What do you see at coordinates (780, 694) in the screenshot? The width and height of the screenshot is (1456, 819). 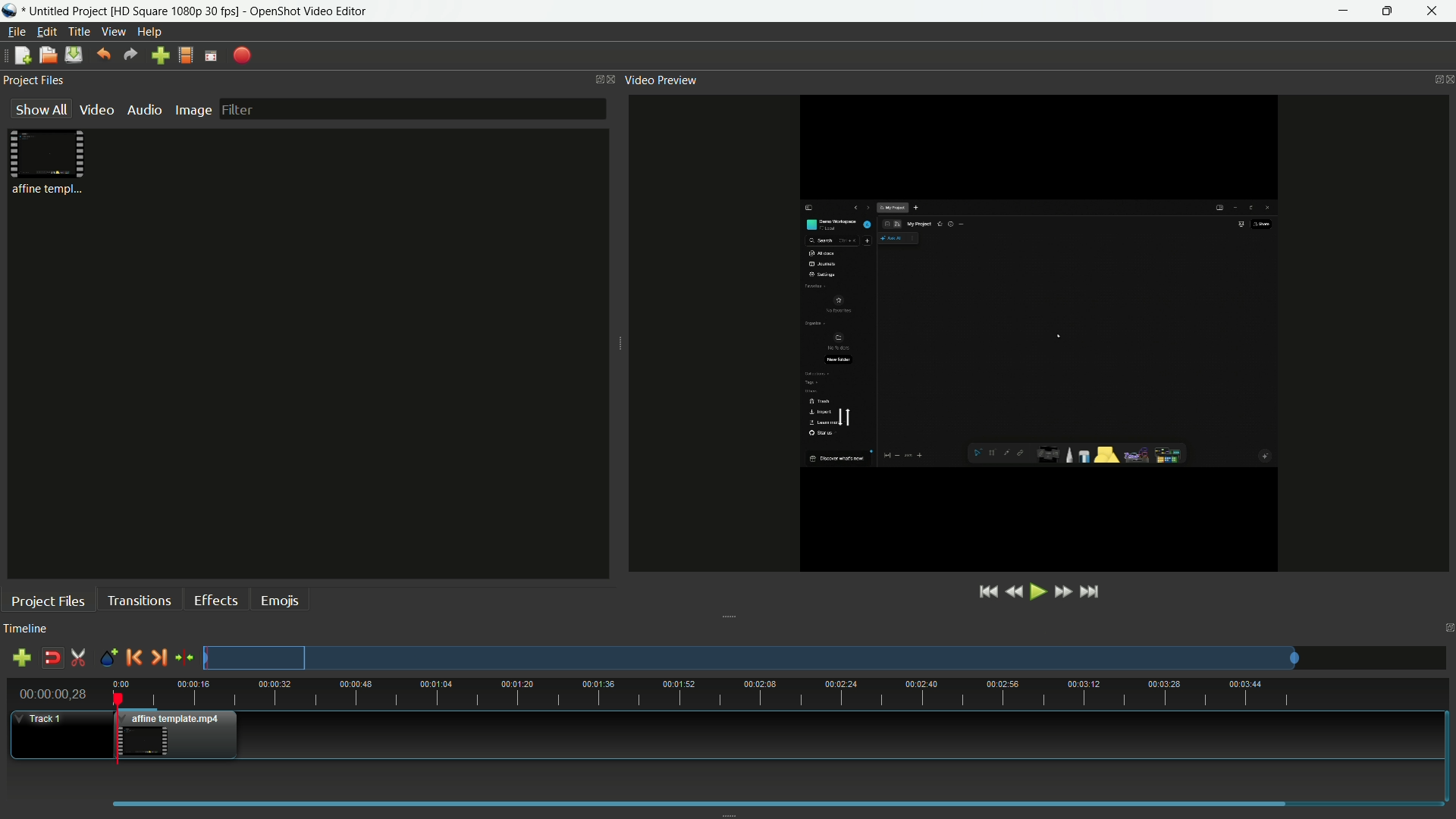 I see `time` at bounding box center [780, 694].